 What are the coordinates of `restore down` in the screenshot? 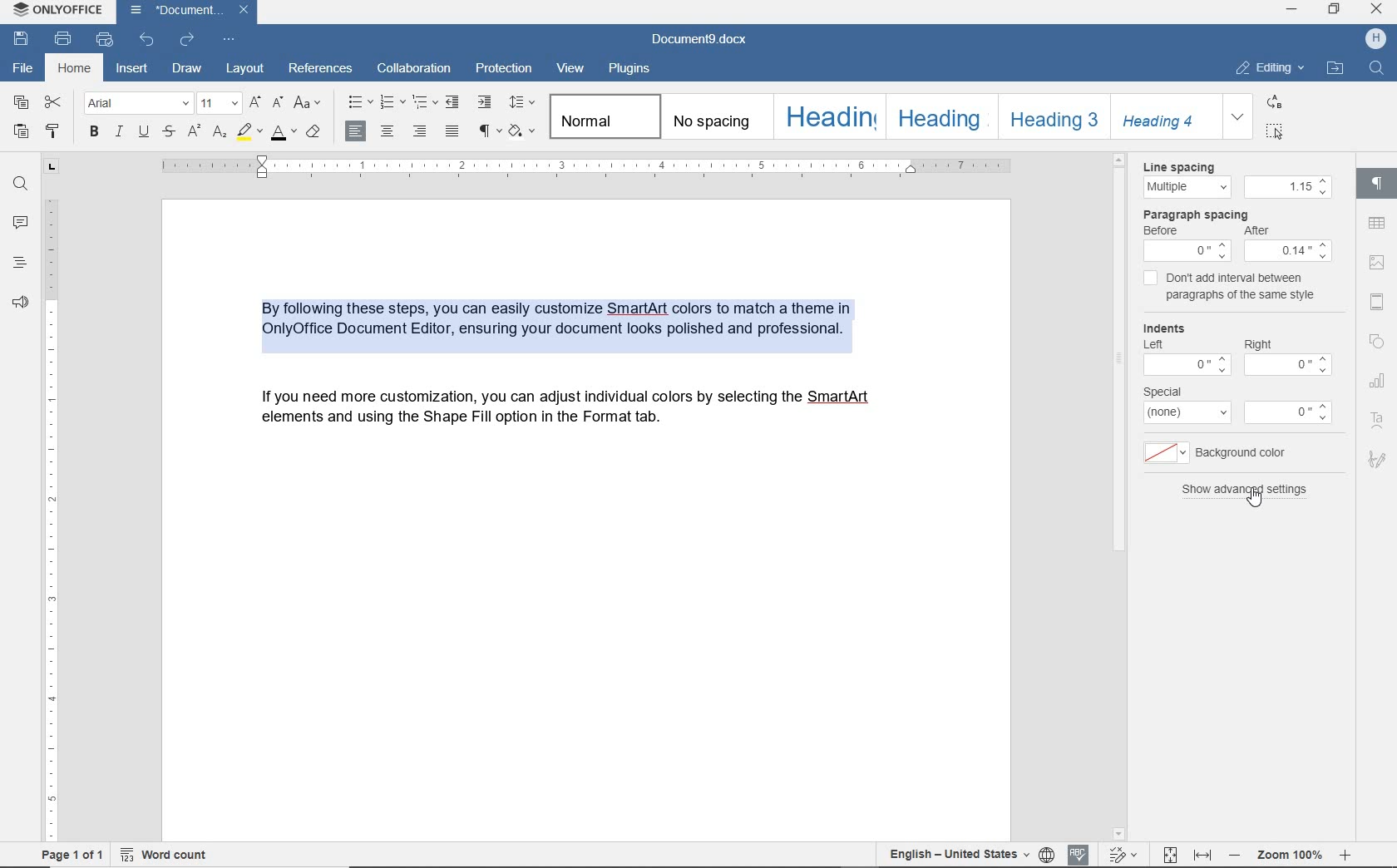 It's located at (1335, 10).